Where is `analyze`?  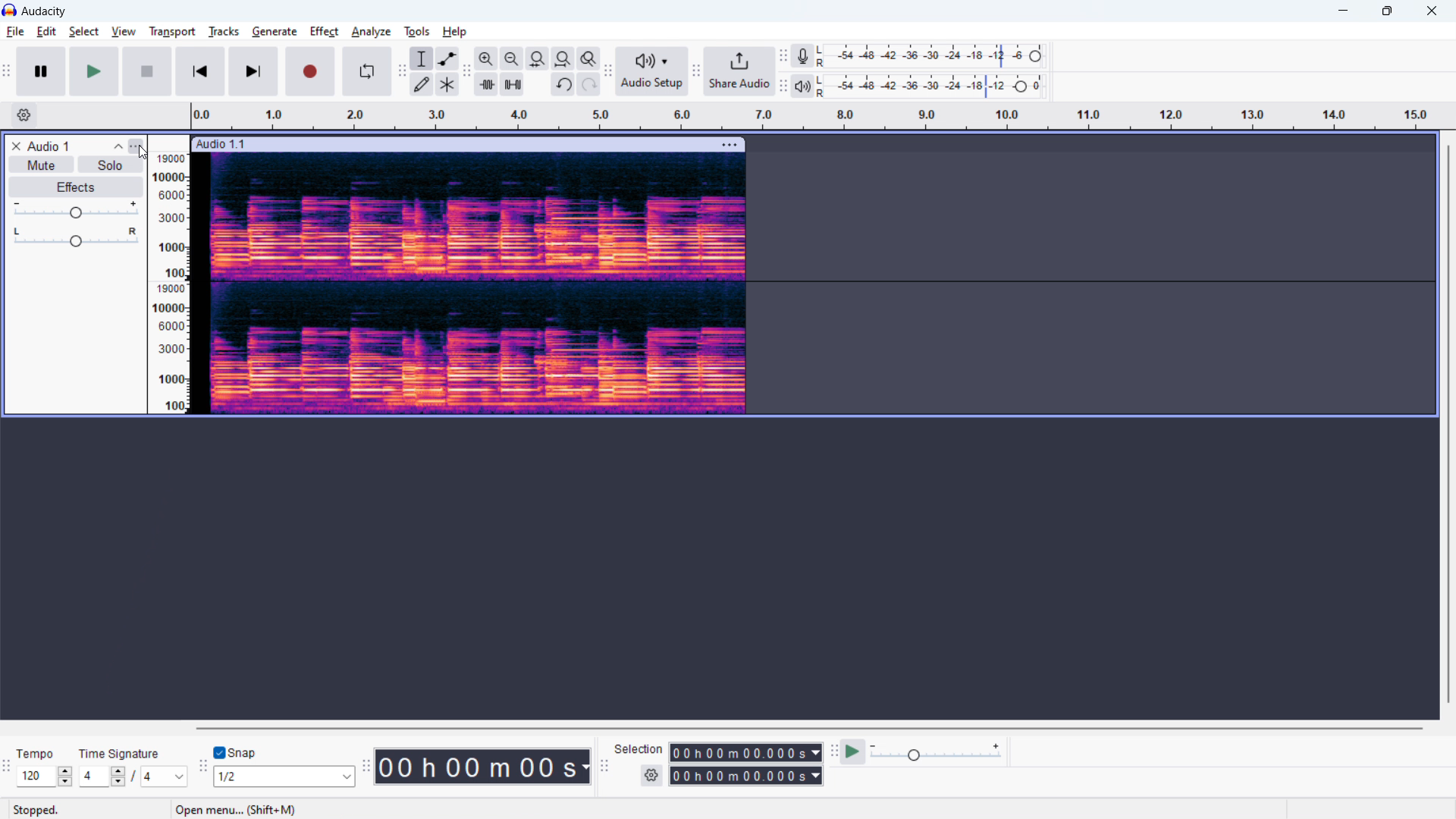 analyze is located at coordinates (372, 30).